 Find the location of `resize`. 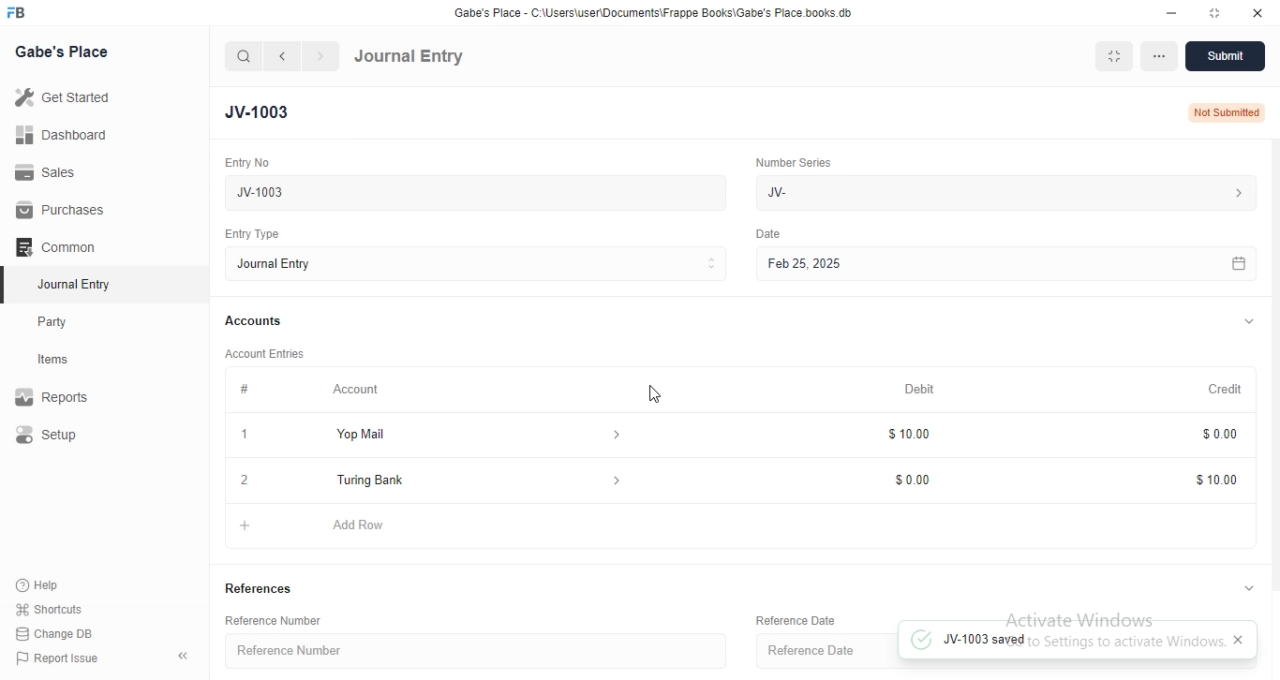

resize is located at coordinates (1211, 12).